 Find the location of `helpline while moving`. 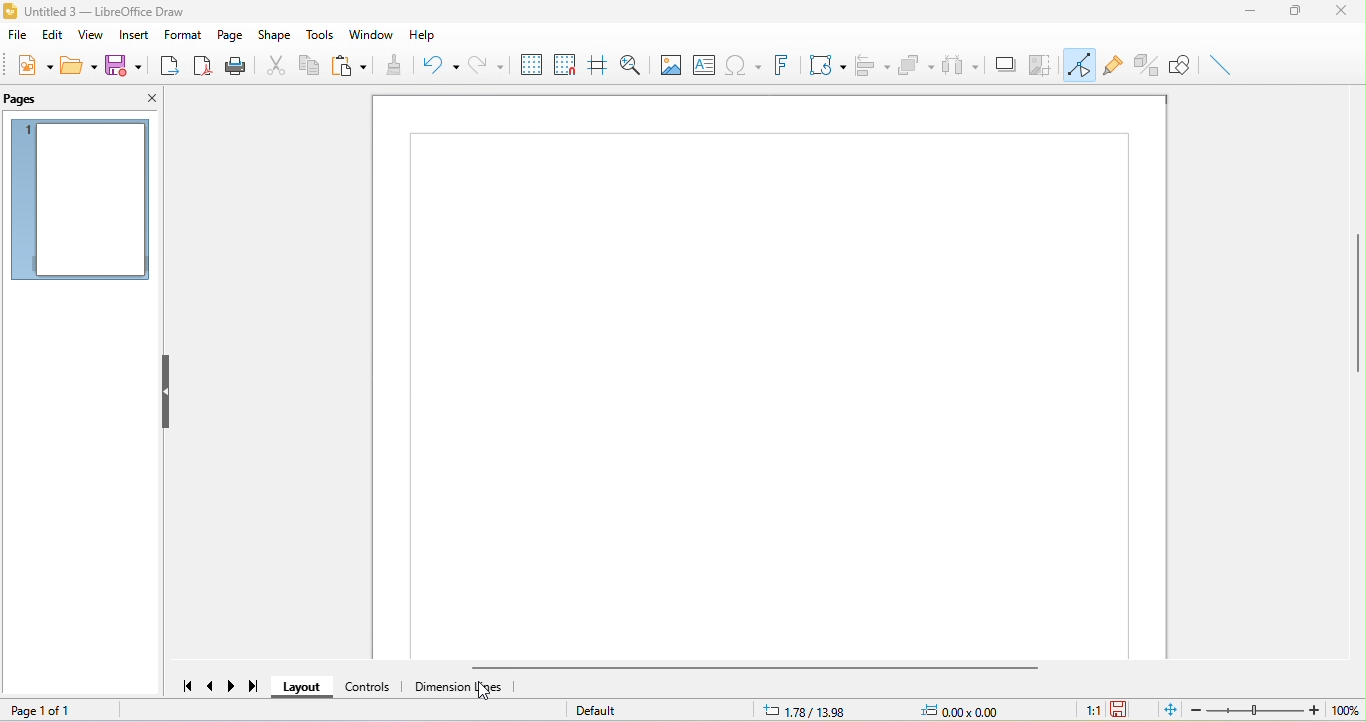

helpline while moving is located at coordinates (596, 65).